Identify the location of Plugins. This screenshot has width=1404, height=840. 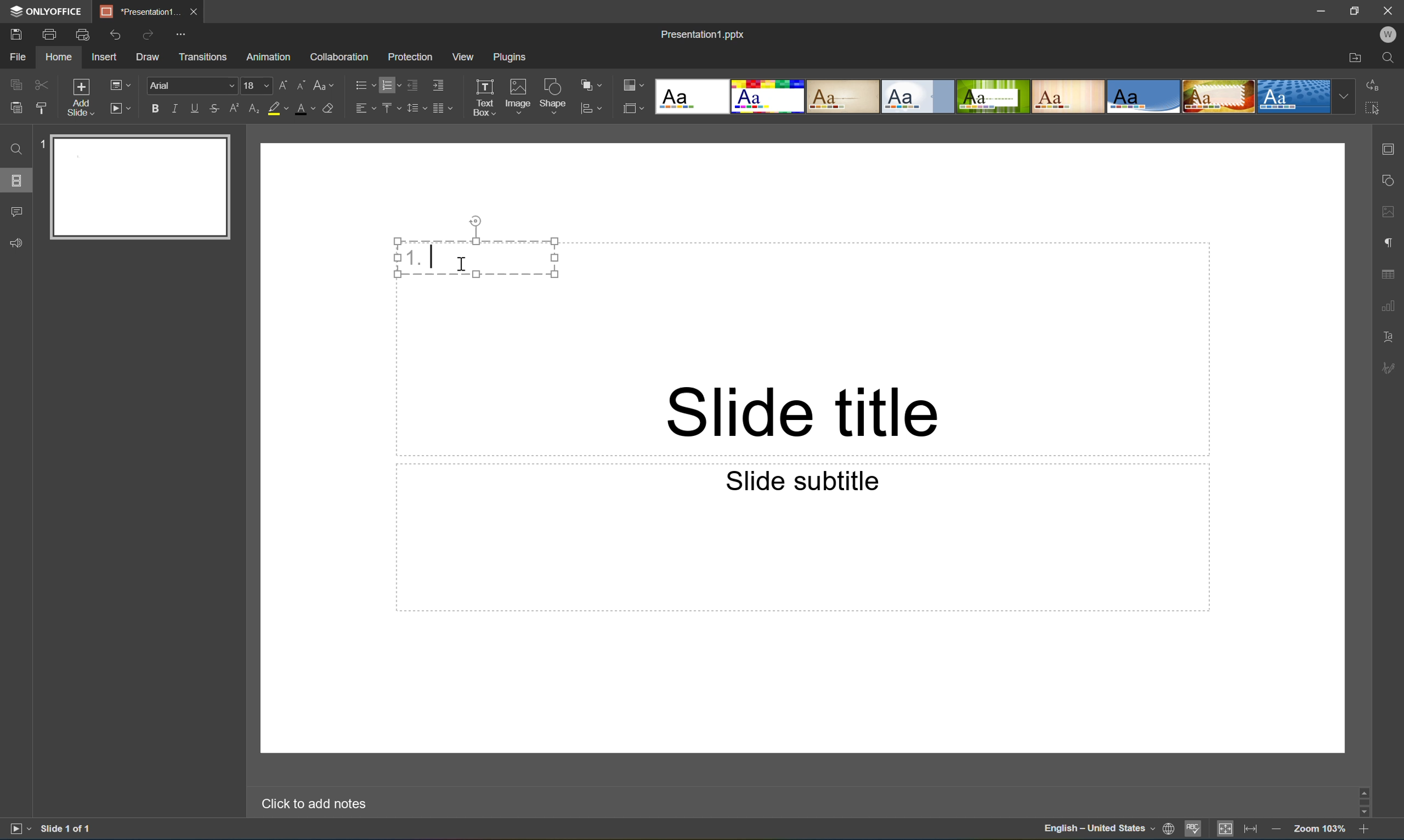
(507, 58).